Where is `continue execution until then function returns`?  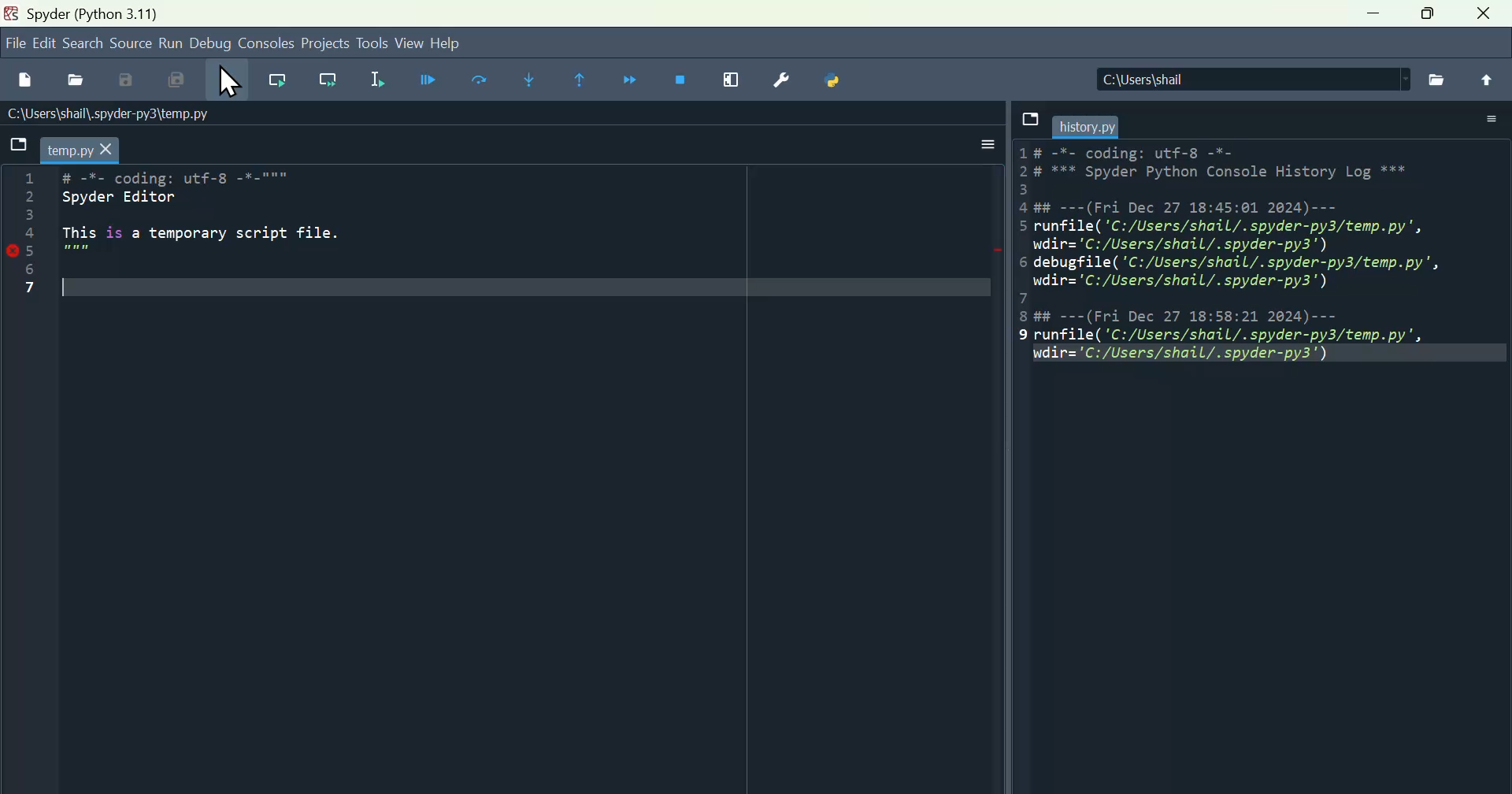 continue execution until then function returns is located at coordinates (586, 80).